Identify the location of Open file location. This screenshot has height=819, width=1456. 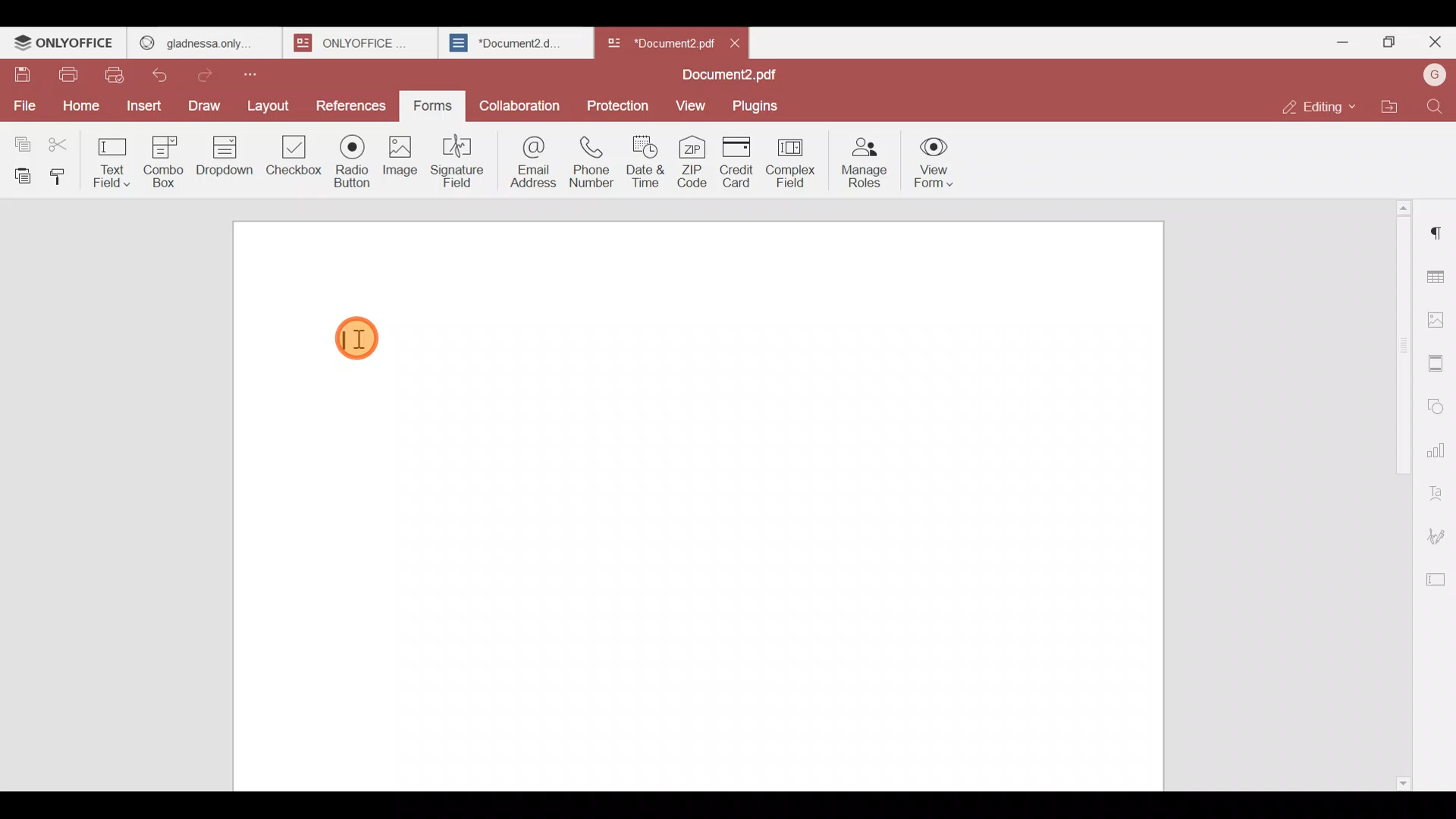
(1396, 108).